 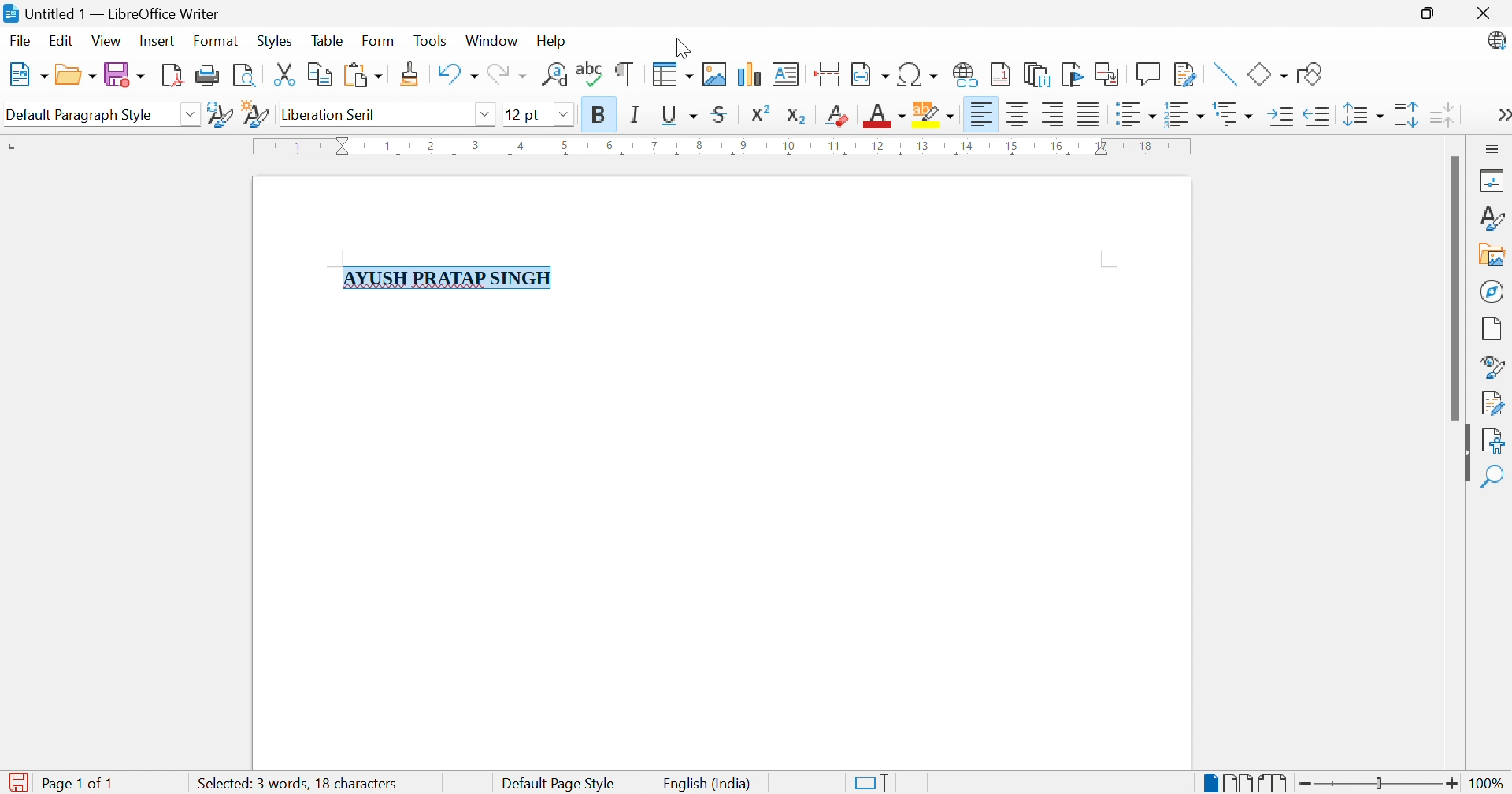 What do you see at coordinates (918, 74) in the screenshot?
I see `Insert Special Characters` at bounding box center [918, 74].